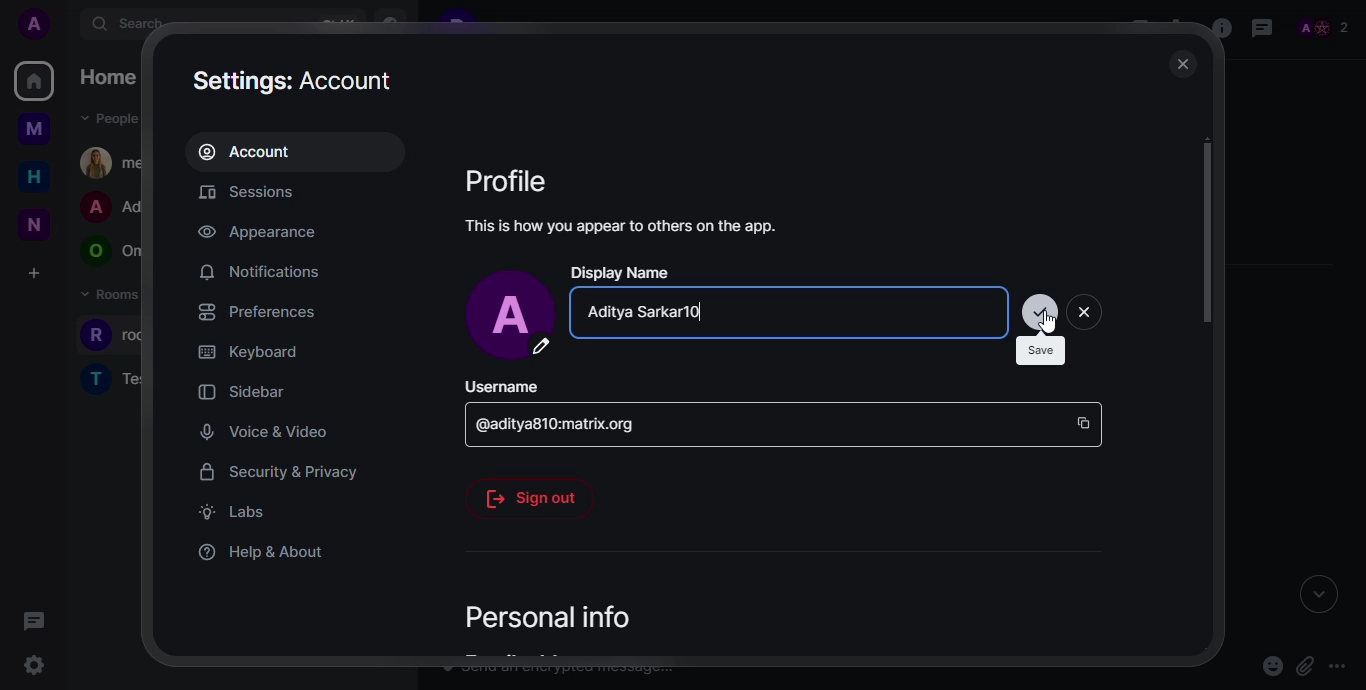  Describe the element at coordinates (1041, 312) in the screenshot. I see `click save` at that location.